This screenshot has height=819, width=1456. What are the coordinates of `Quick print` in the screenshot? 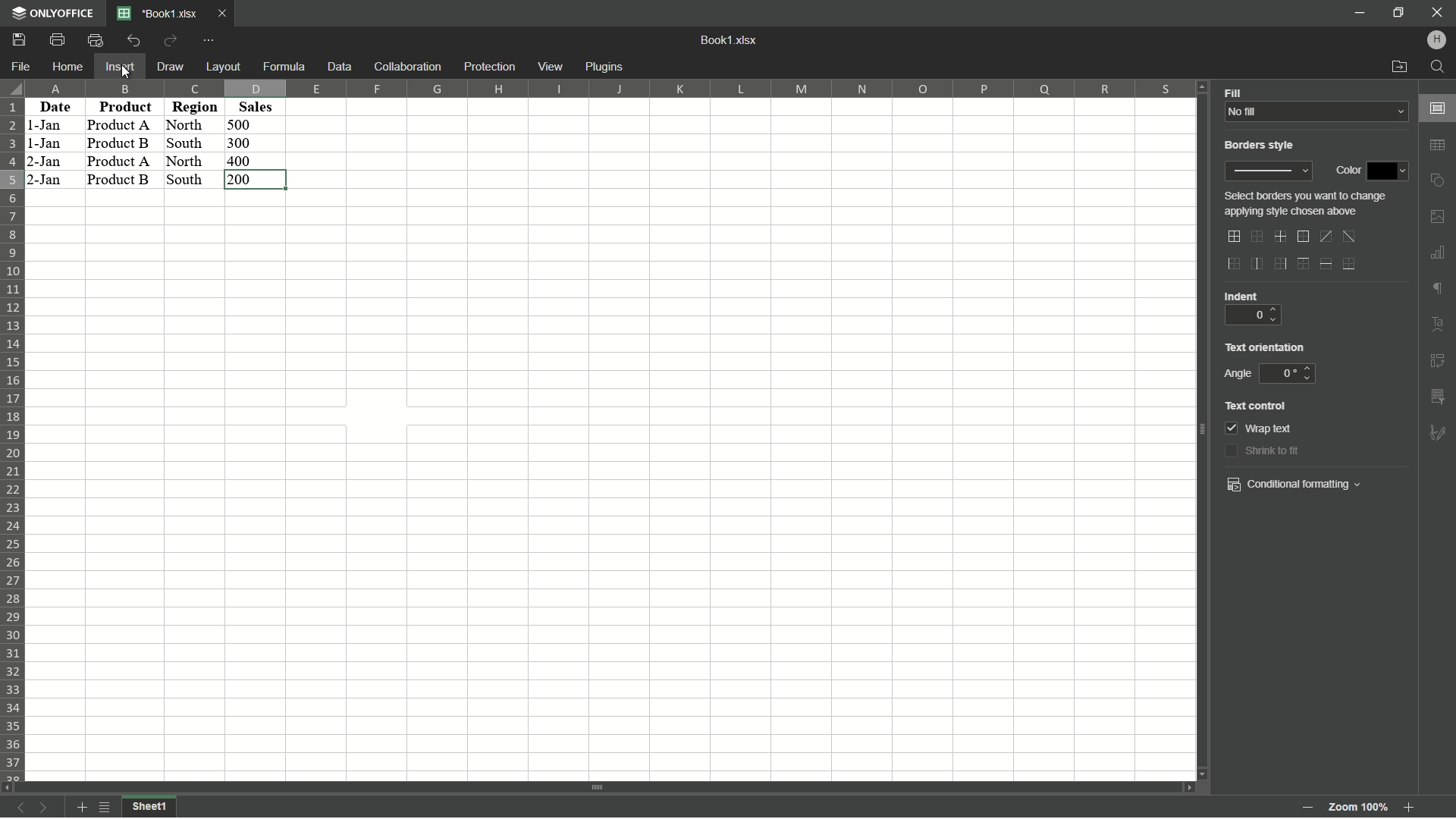 It's located at (94, 42).